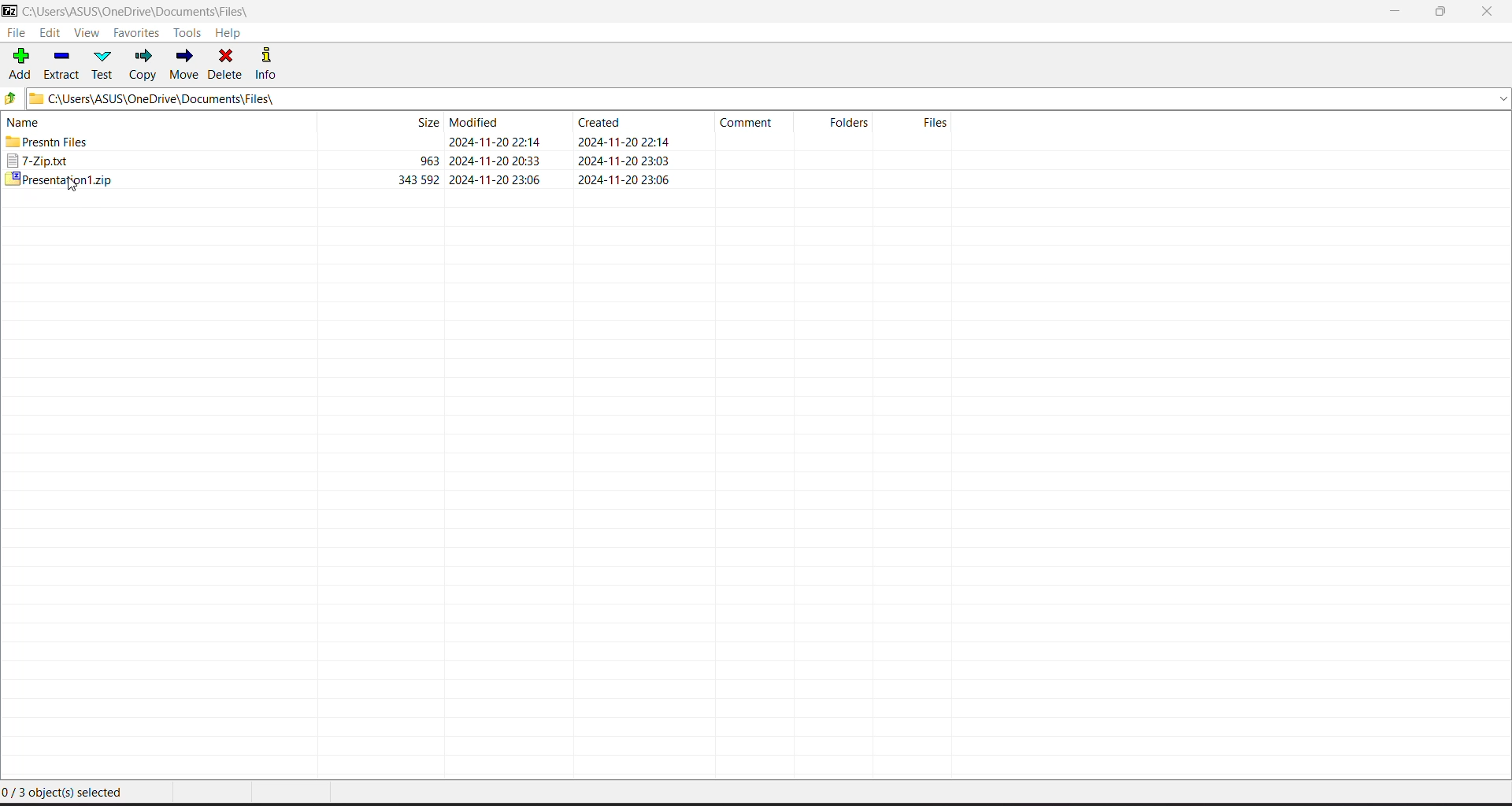 The width and height of the screenshot is (1512, 806). What do you see at coordinates (228, 33) in the screenshot?
I see `Help` at bounding box center [228, 33].